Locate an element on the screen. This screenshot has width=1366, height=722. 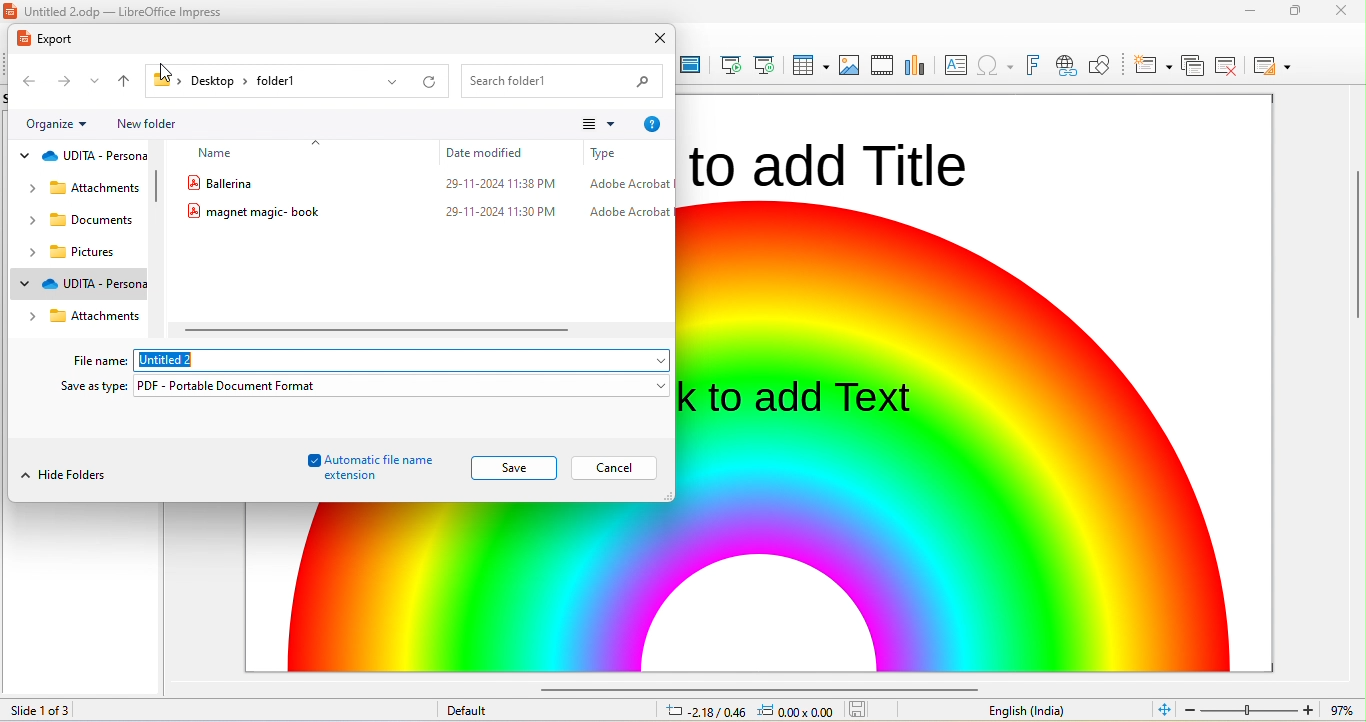
close is located at coordinates (1346, 11).